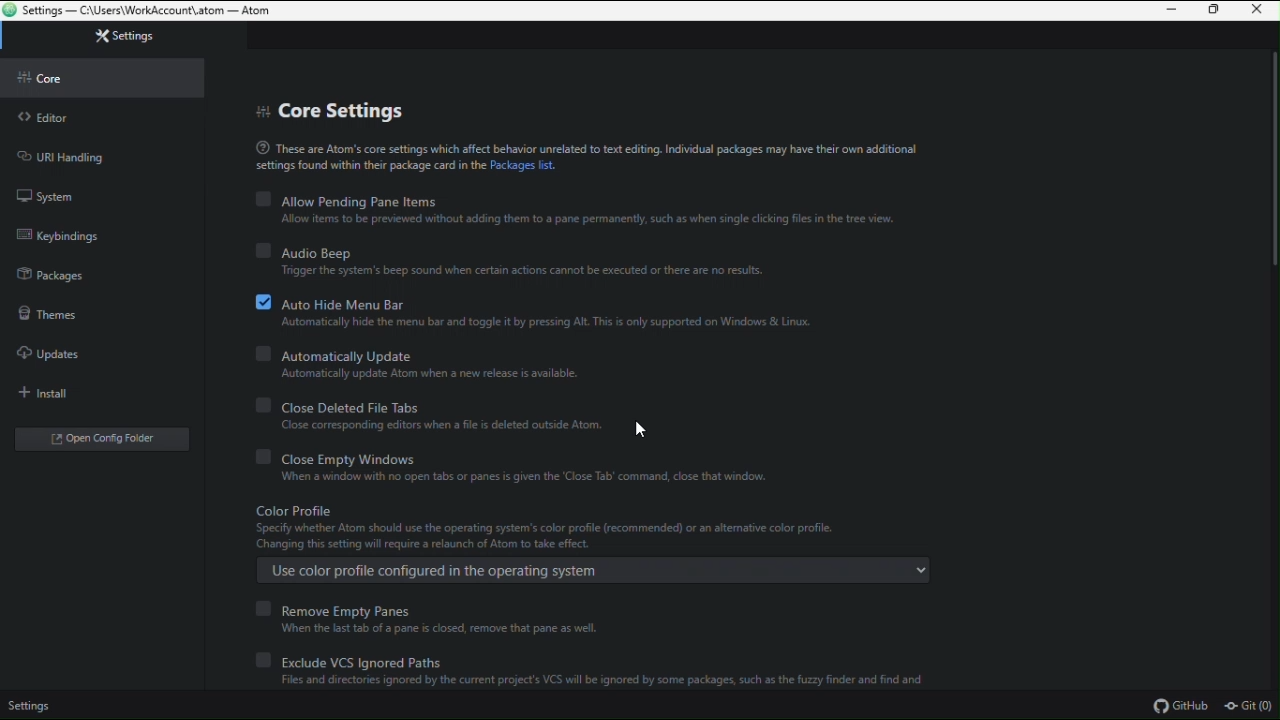 Image resolution: width=1280 pixels, height=720 pixels. I want to click on When the last tab of a pane is closed, remove that pane as well., so click(471, 629).